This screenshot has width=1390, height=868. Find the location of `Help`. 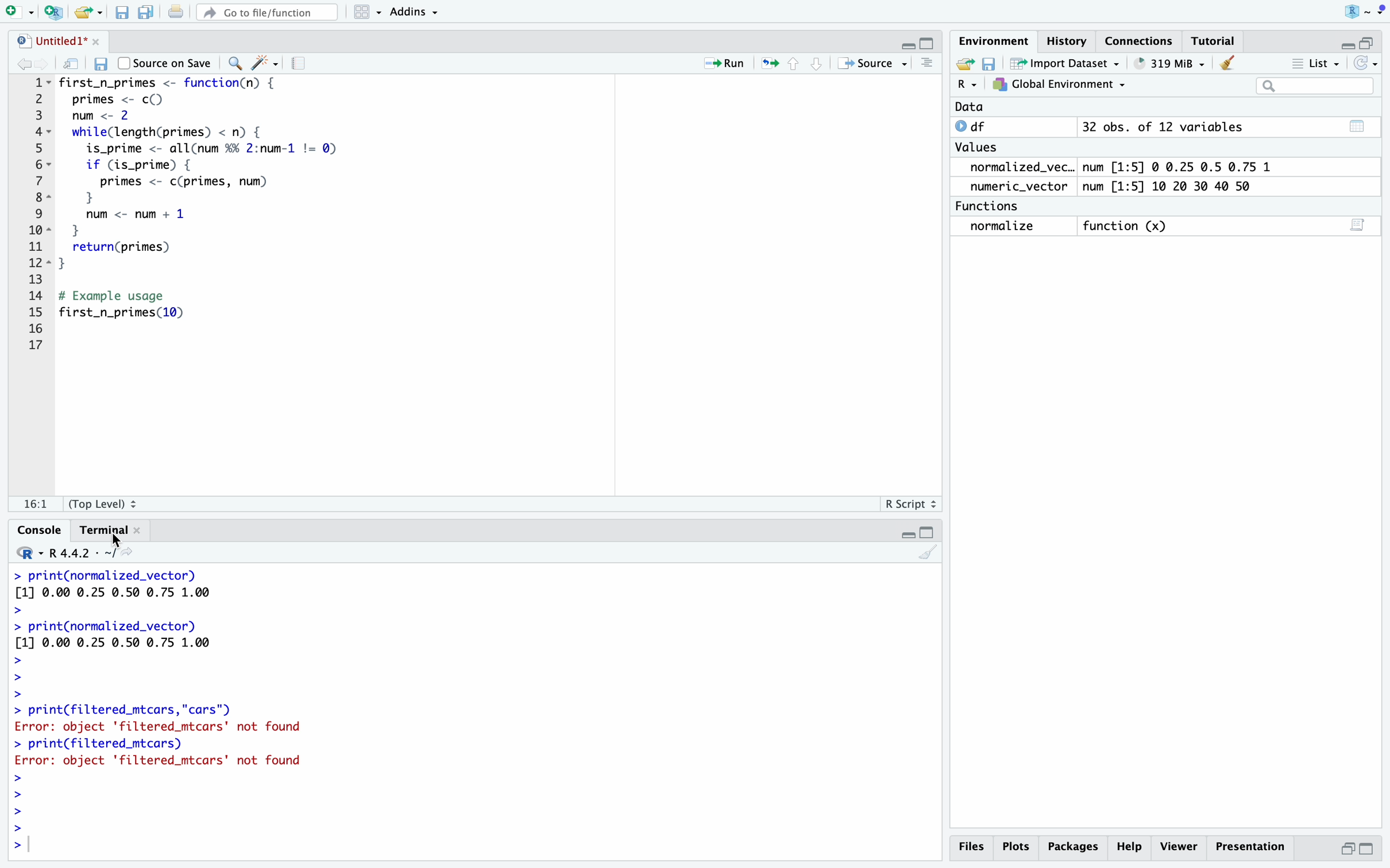

Help is located at coordinates (1131, 845).